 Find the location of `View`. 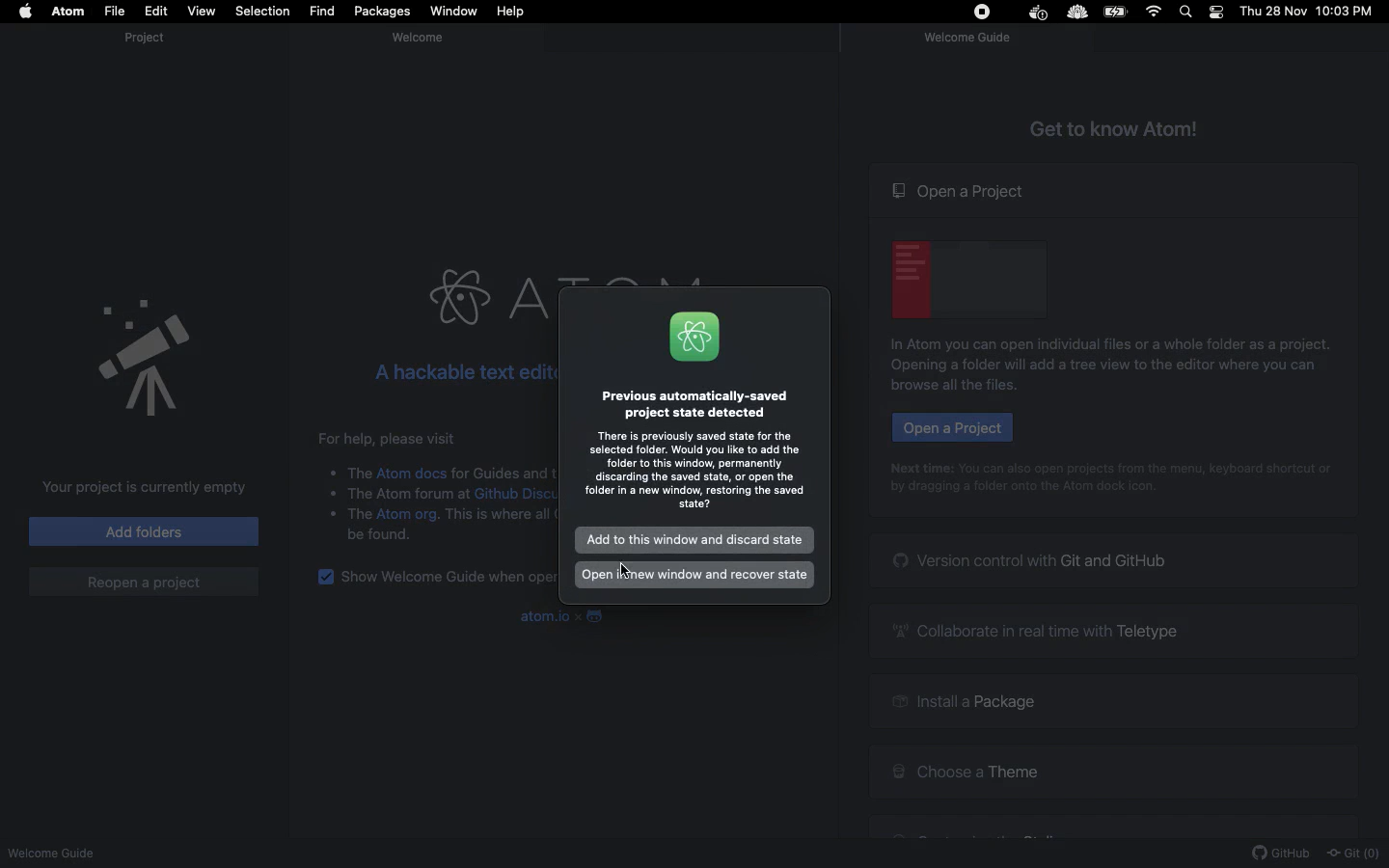

View is located at coordinates (201, 11).